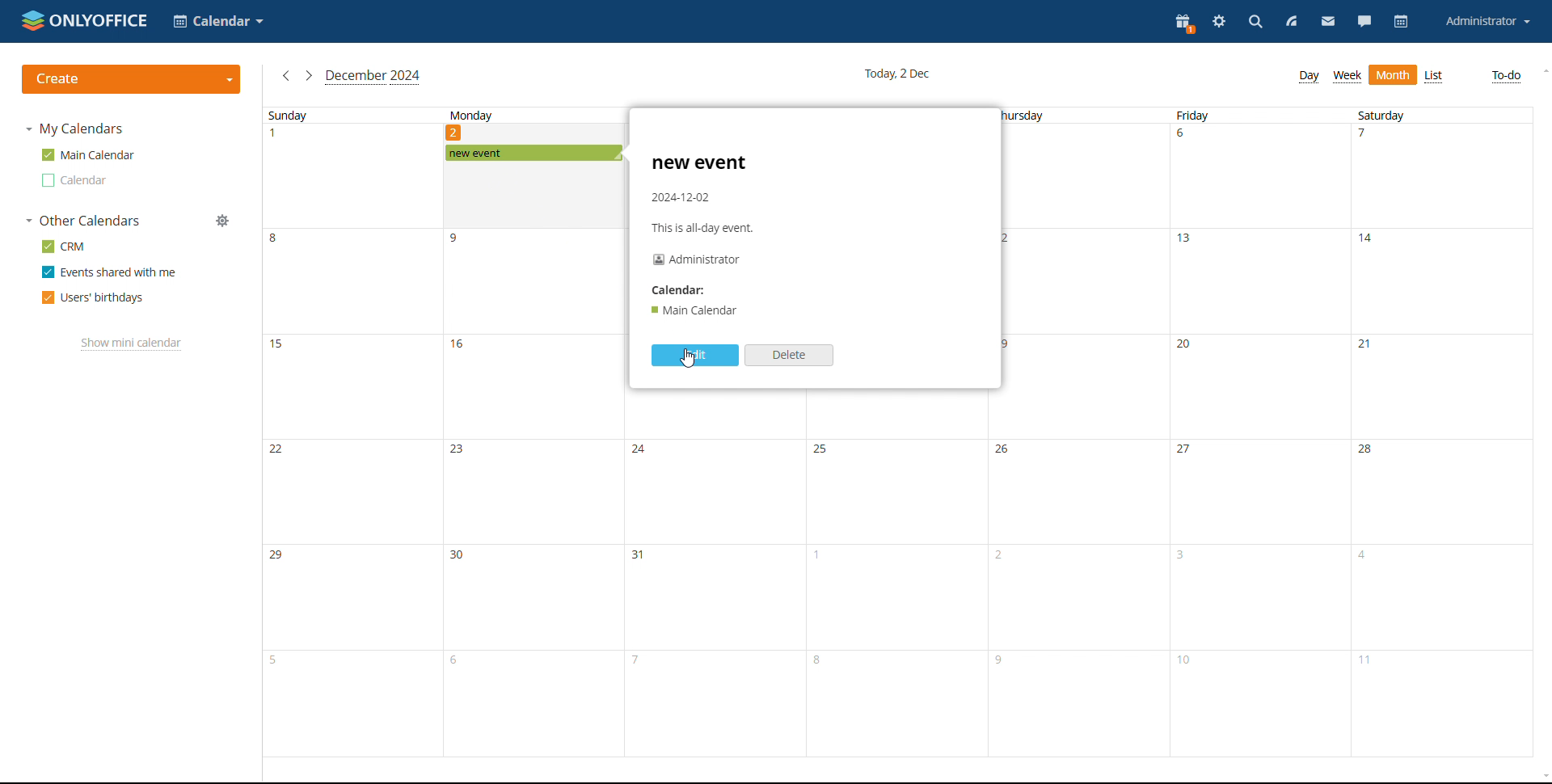  I want to click on scheduled event, so click(533, 153).